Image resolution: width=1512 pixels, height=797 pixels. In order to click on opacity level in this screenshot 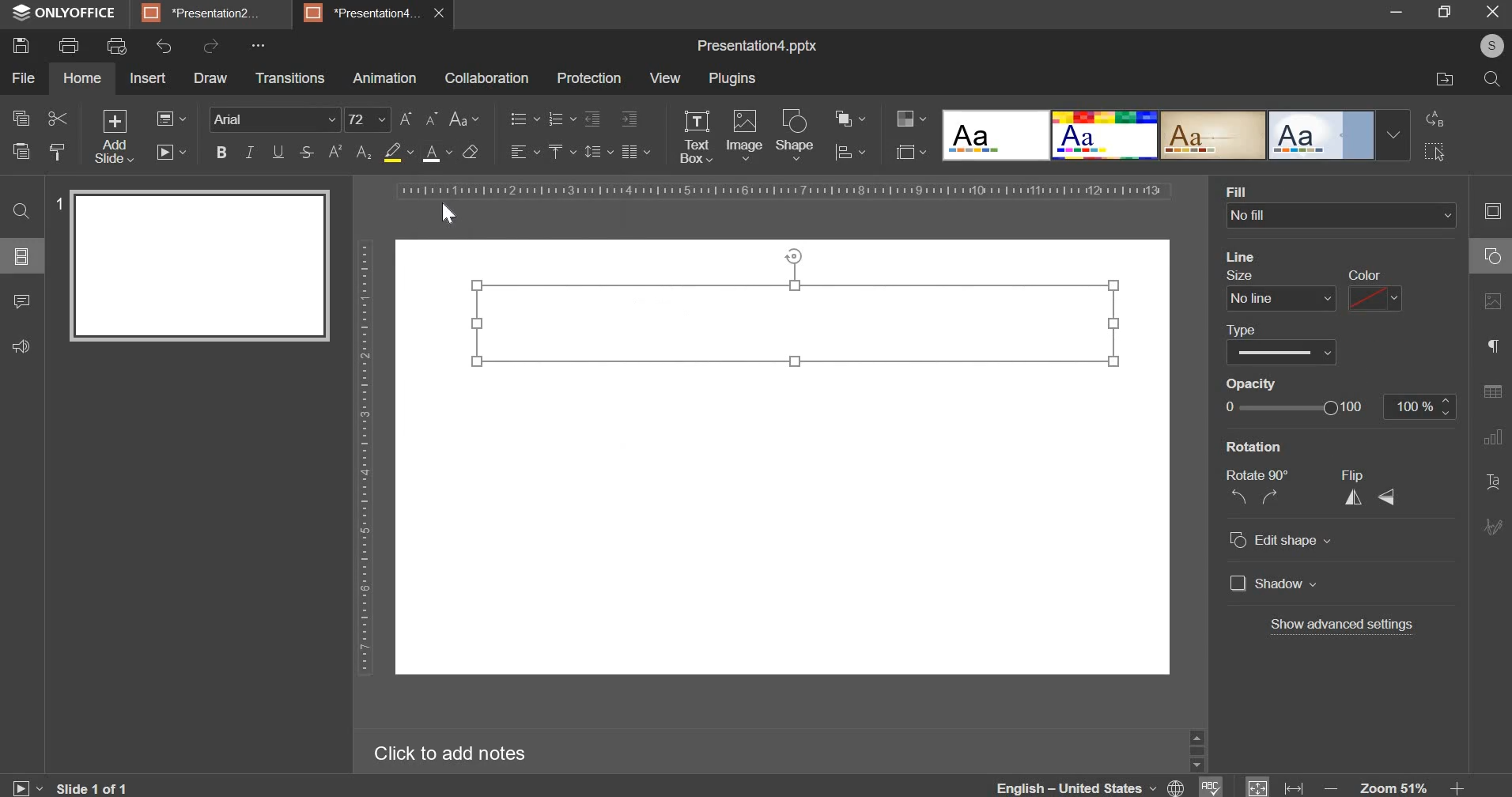, I will do `click(1421, 407)`.